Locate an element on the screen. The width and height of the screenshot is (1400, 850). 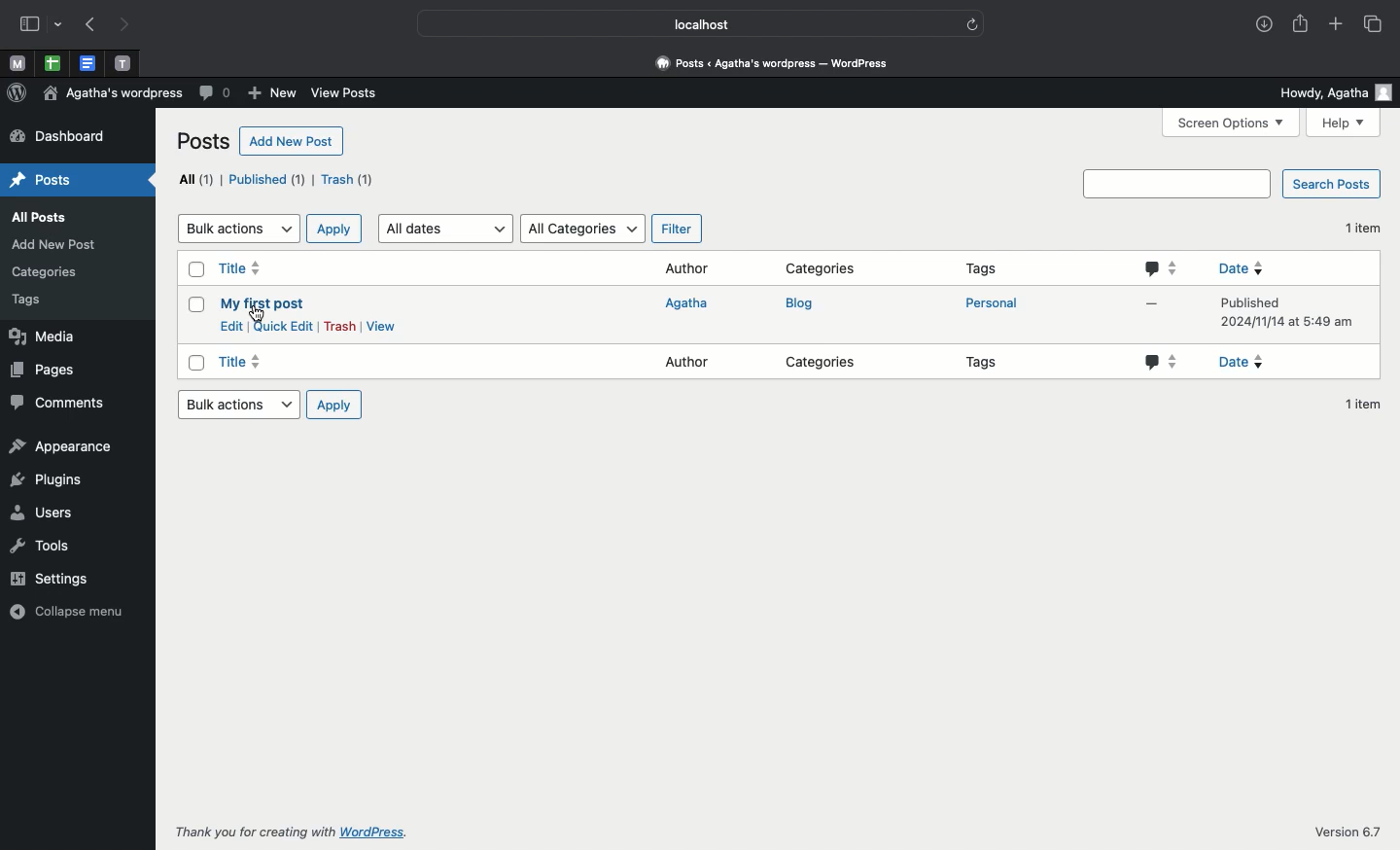
All posts is located at coordinates (43, 214).